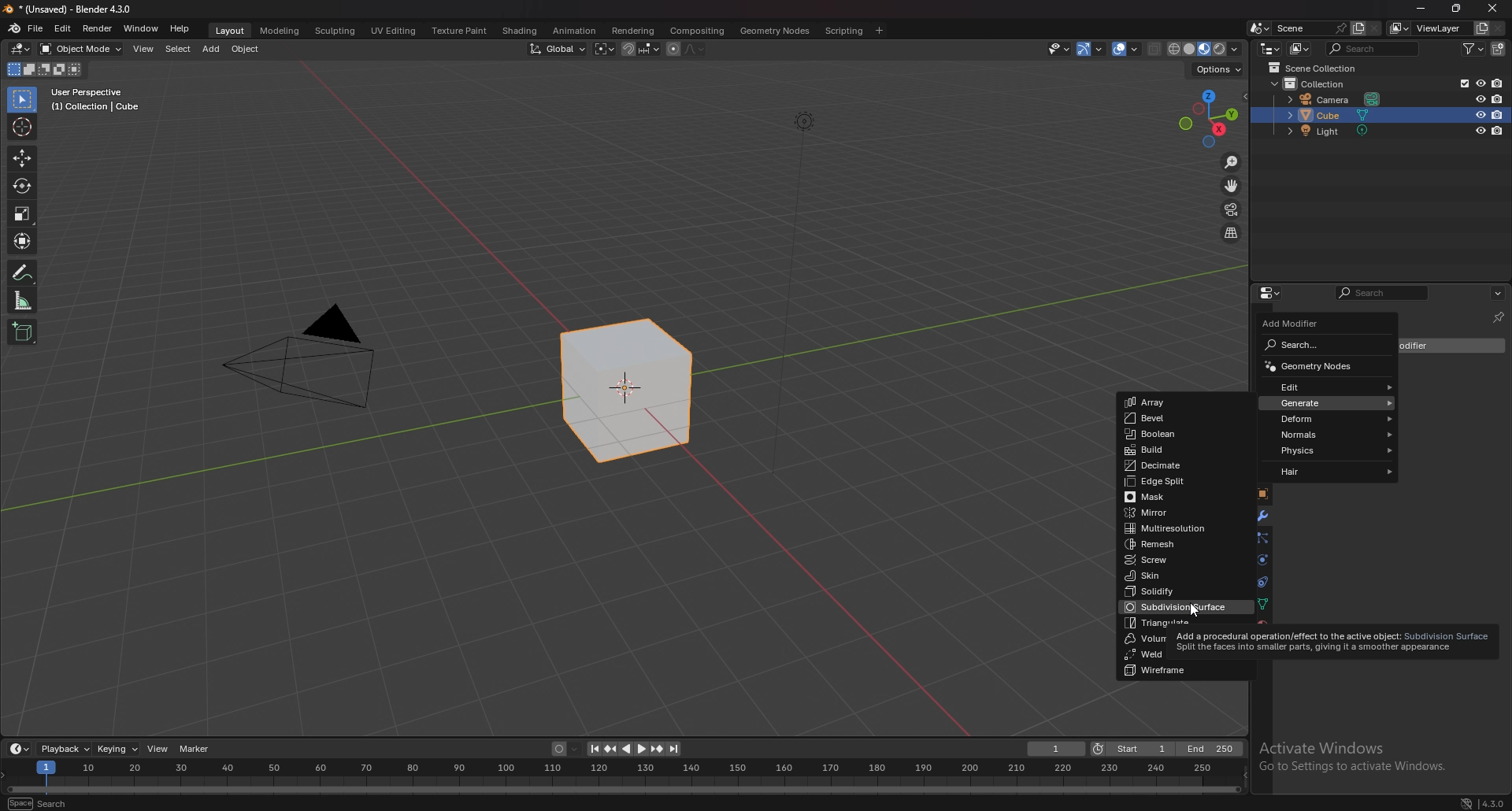 Image resolution: width=1512 pixels, height=811 pixels. What do you see at coordinates (1092, 49) in the screenshot?
I see `gizmo` at bounding box center [1092, 49].